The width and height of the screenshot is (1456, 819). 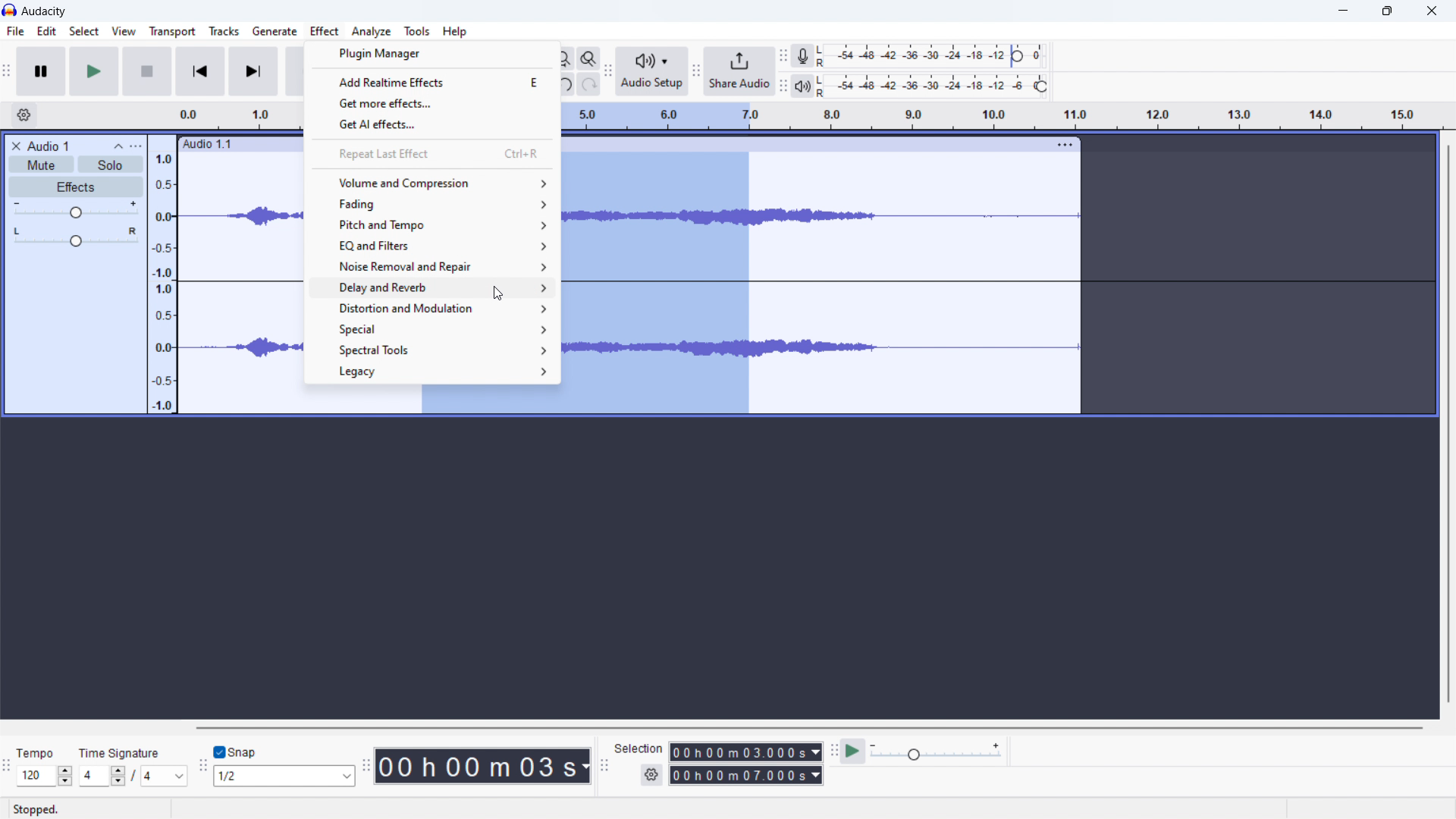 What do you see at coordinates (430, 52) in the screenshot?
I see `plugin manager` at bounding box center [430, 52].